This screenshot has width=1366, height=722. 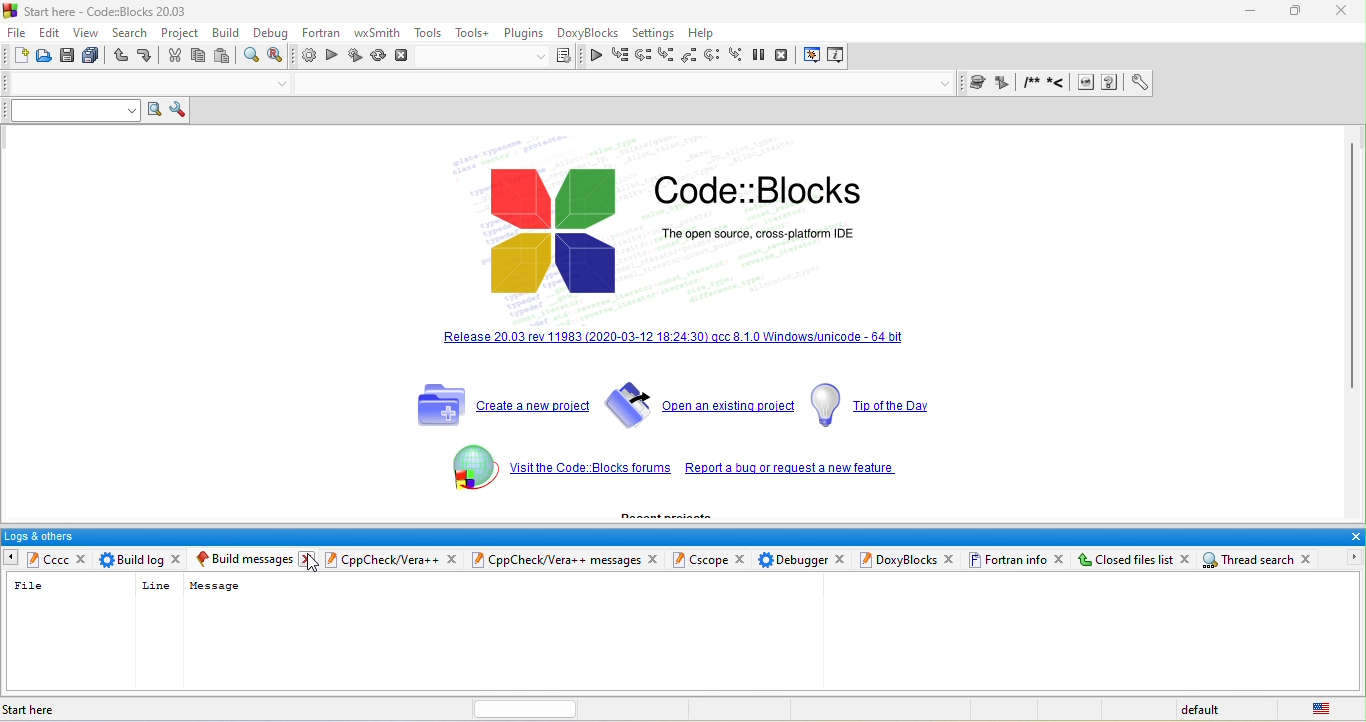 I want to click on close, so click(x=181, y=557).